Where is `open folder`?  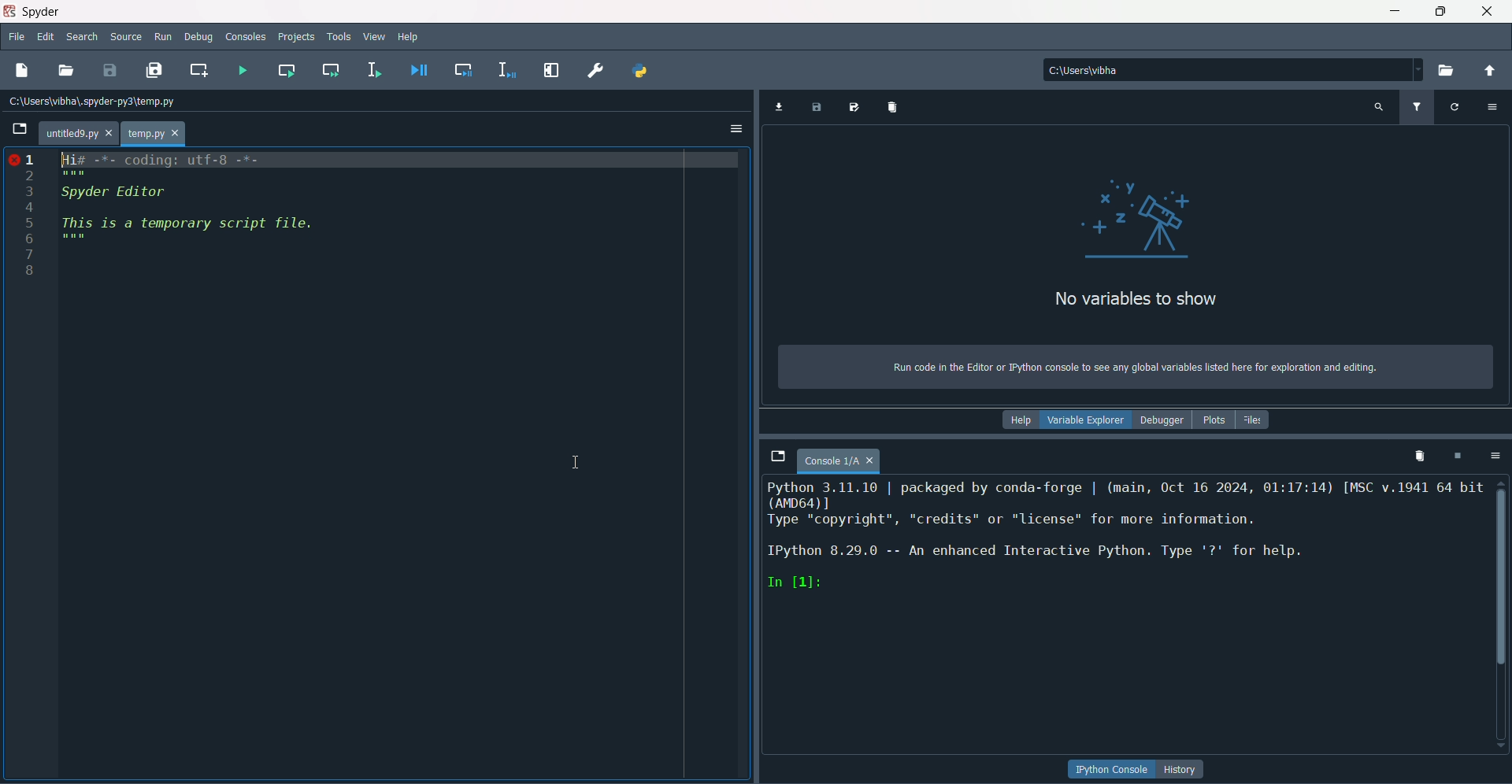 open folder is located at coordinates (1450, 70).